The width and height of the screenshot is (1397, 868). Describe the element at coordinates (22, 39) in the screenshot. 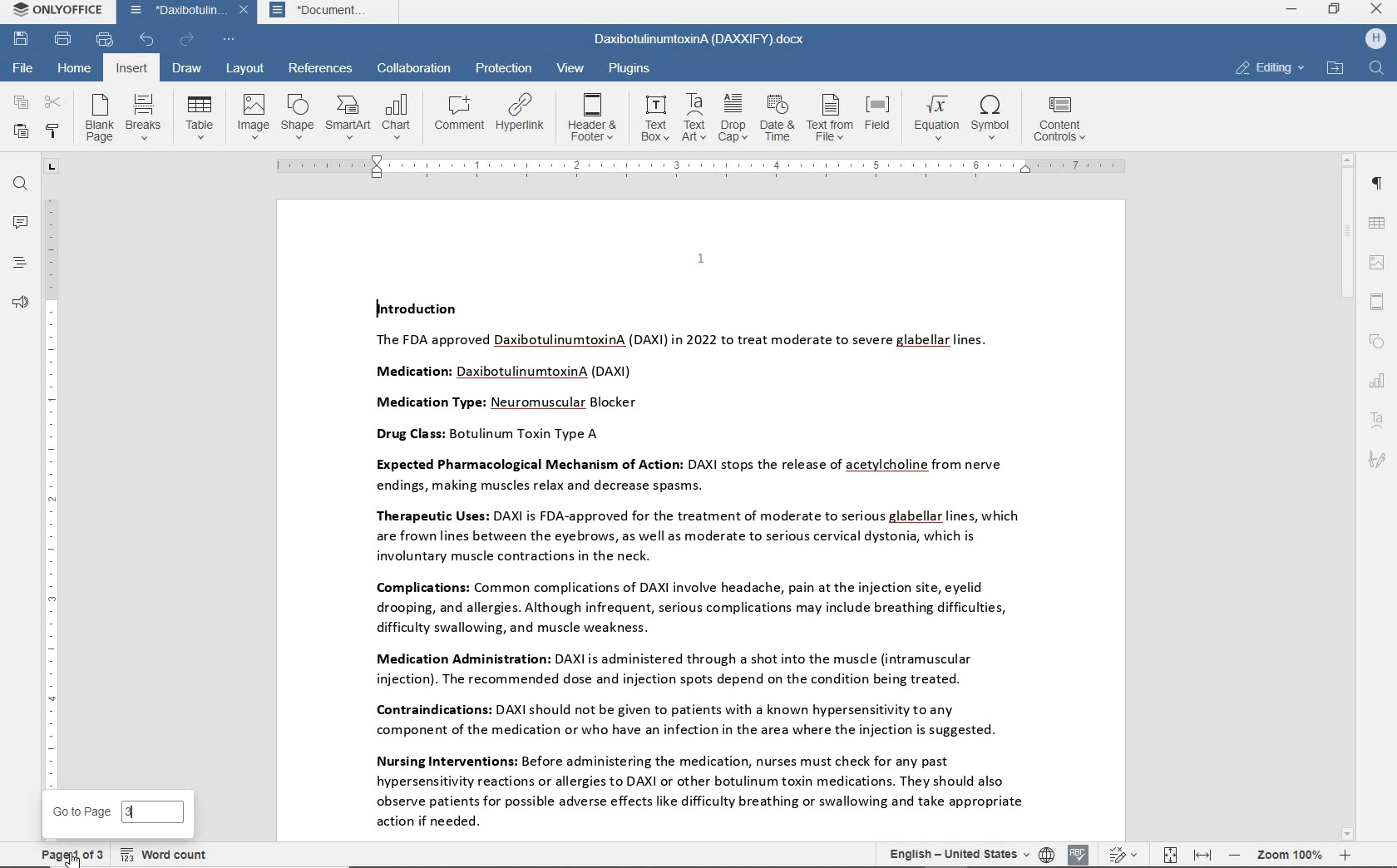

I see `save` at that location.